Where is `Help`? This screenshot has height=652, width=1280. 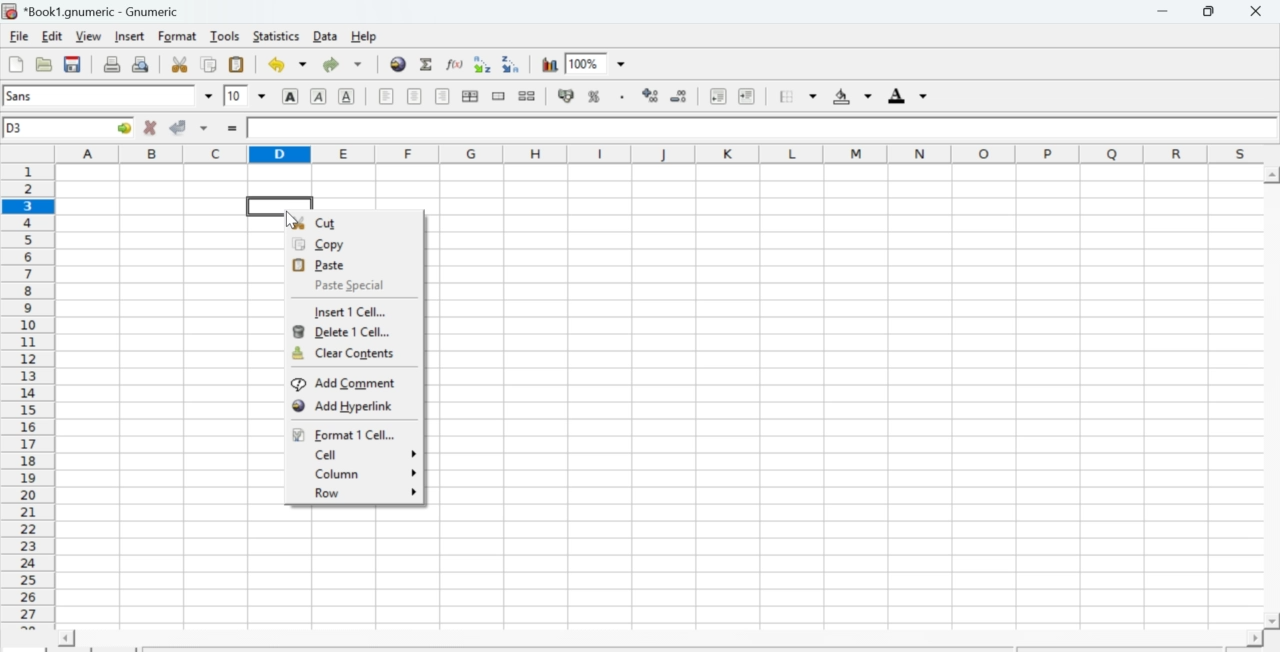
Help is located at coordinates (363, 36).